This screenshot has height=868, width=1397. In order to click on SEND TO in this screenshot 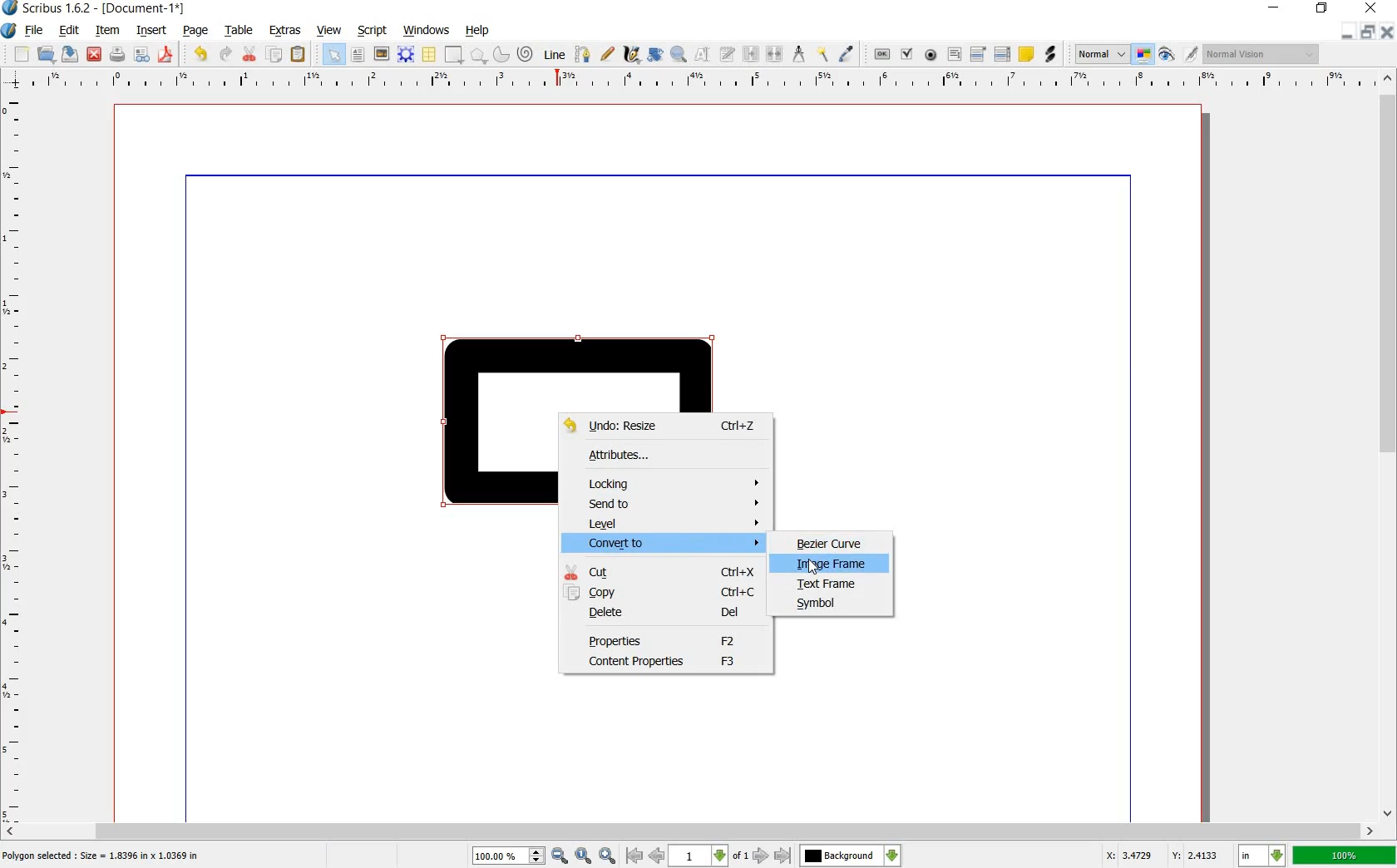, I will do `click(676, 503)`.